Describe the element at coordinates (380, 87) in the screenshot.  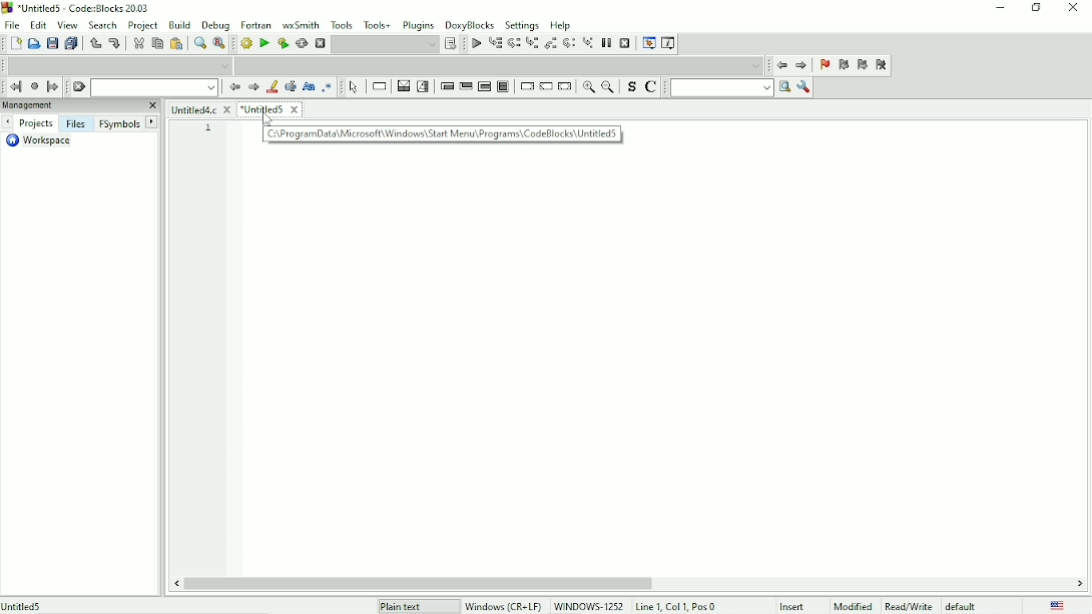
I see `Instruction` at that location.